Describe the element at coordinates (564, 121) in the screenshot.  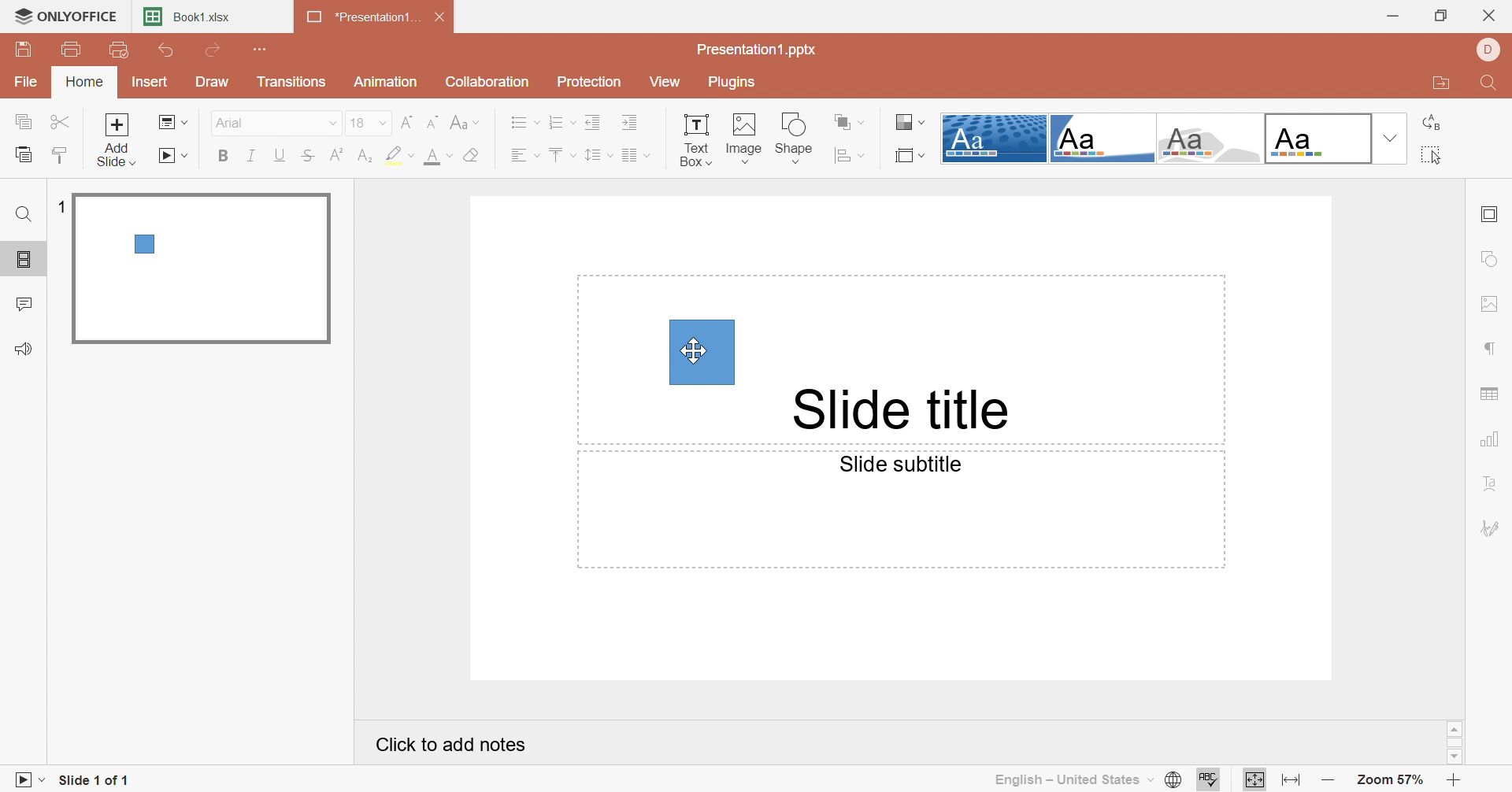
I see `Numbering` at that location.